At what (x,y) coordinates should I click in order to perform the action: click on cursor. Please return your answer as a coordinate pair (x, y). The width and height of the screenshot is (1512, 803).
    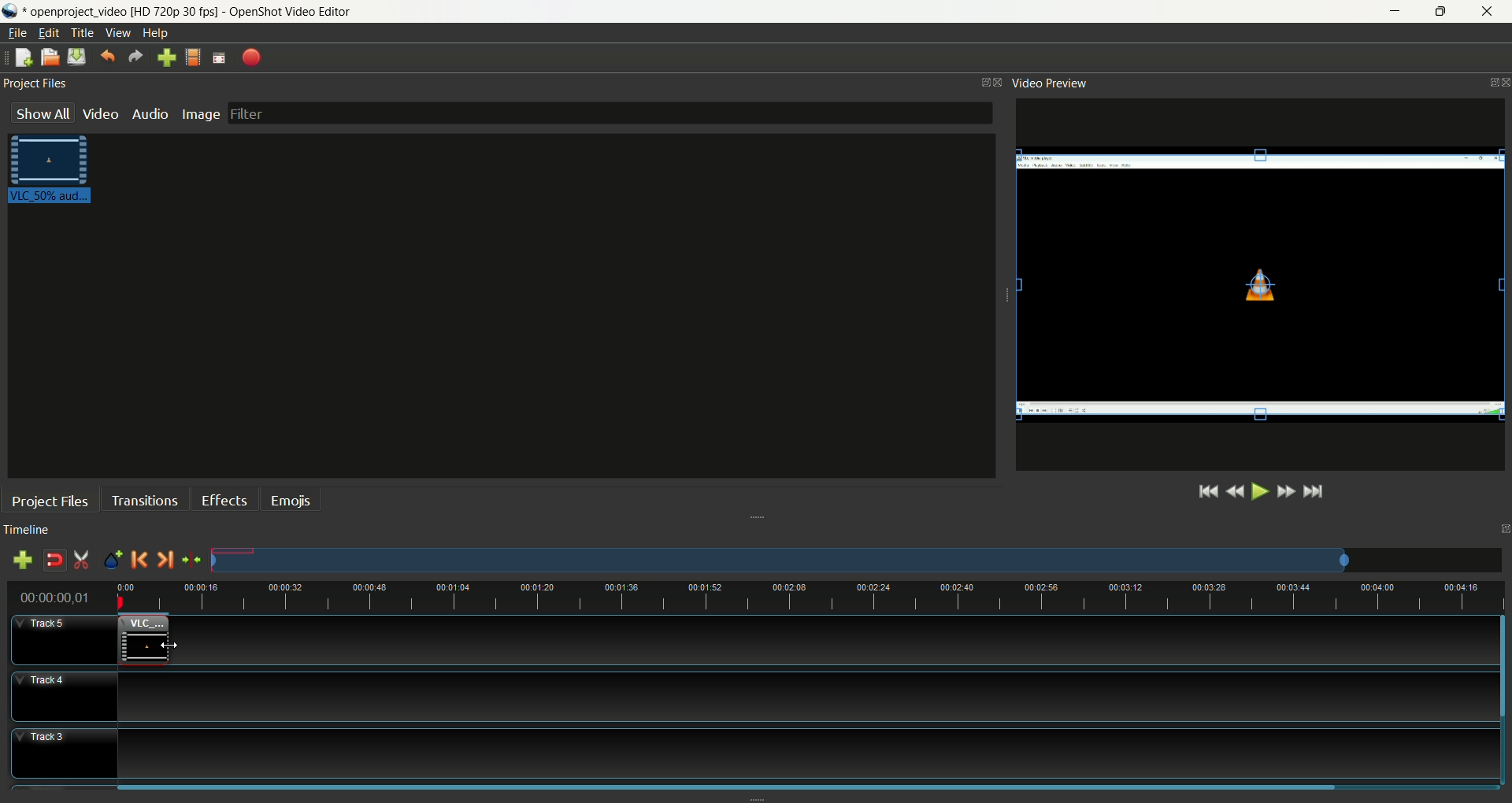
    Looking at the image, I should click on (169, 642).